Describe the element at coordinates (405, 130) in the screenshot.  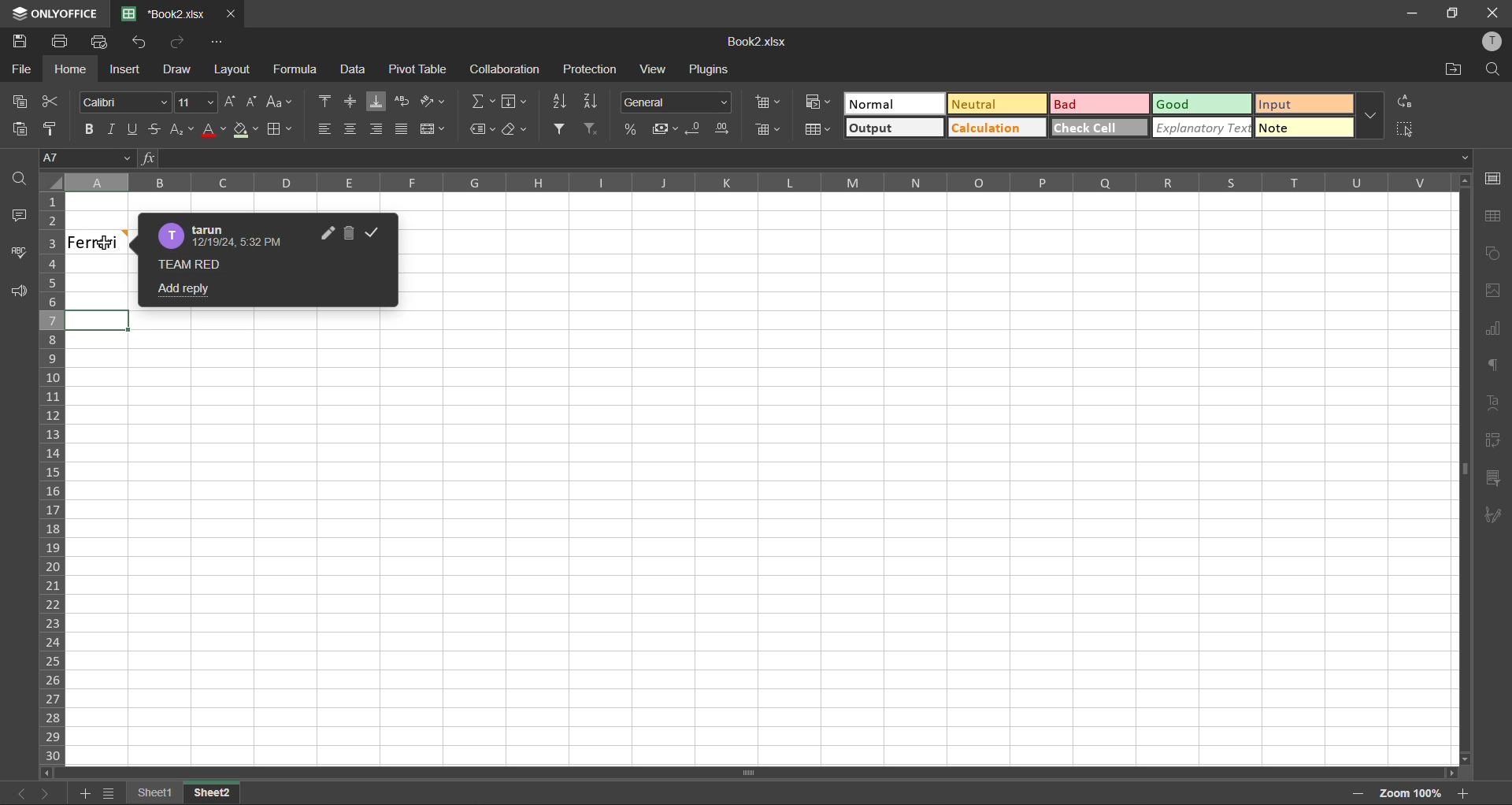
I see `justified` at that location.